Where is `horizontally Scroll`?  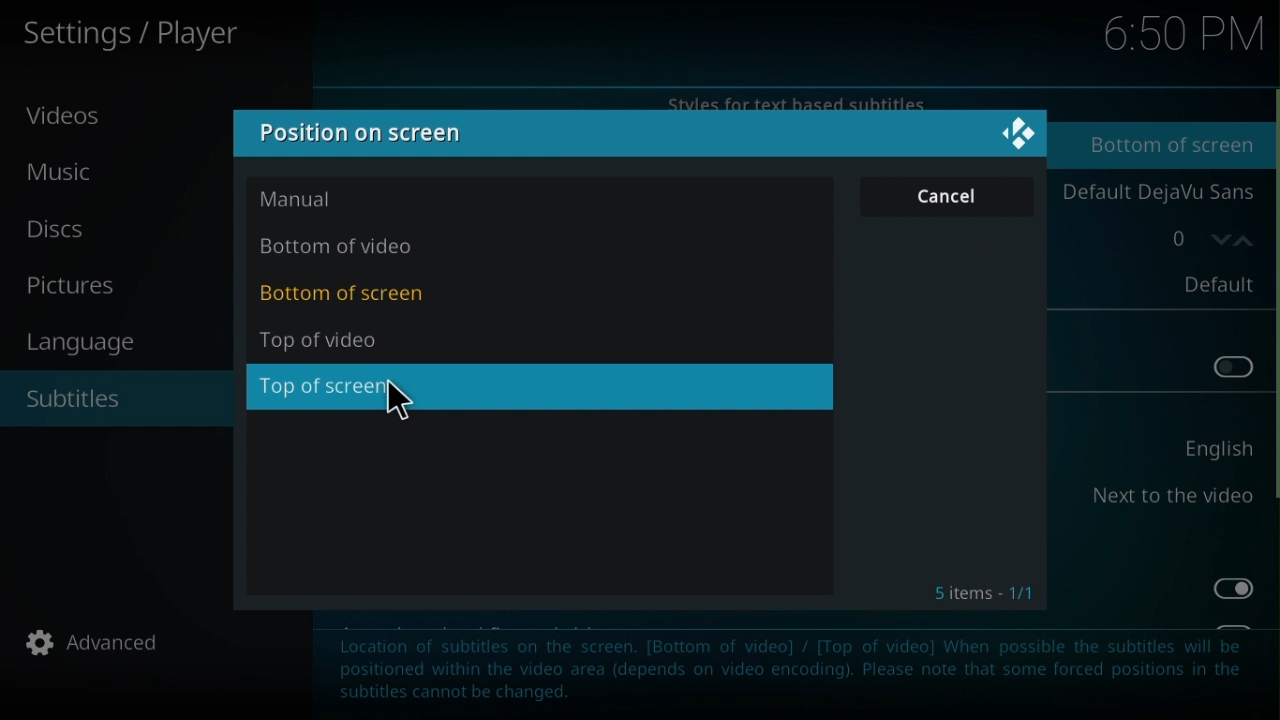 horizontally Scroll is located at coordinates (1272, 313).